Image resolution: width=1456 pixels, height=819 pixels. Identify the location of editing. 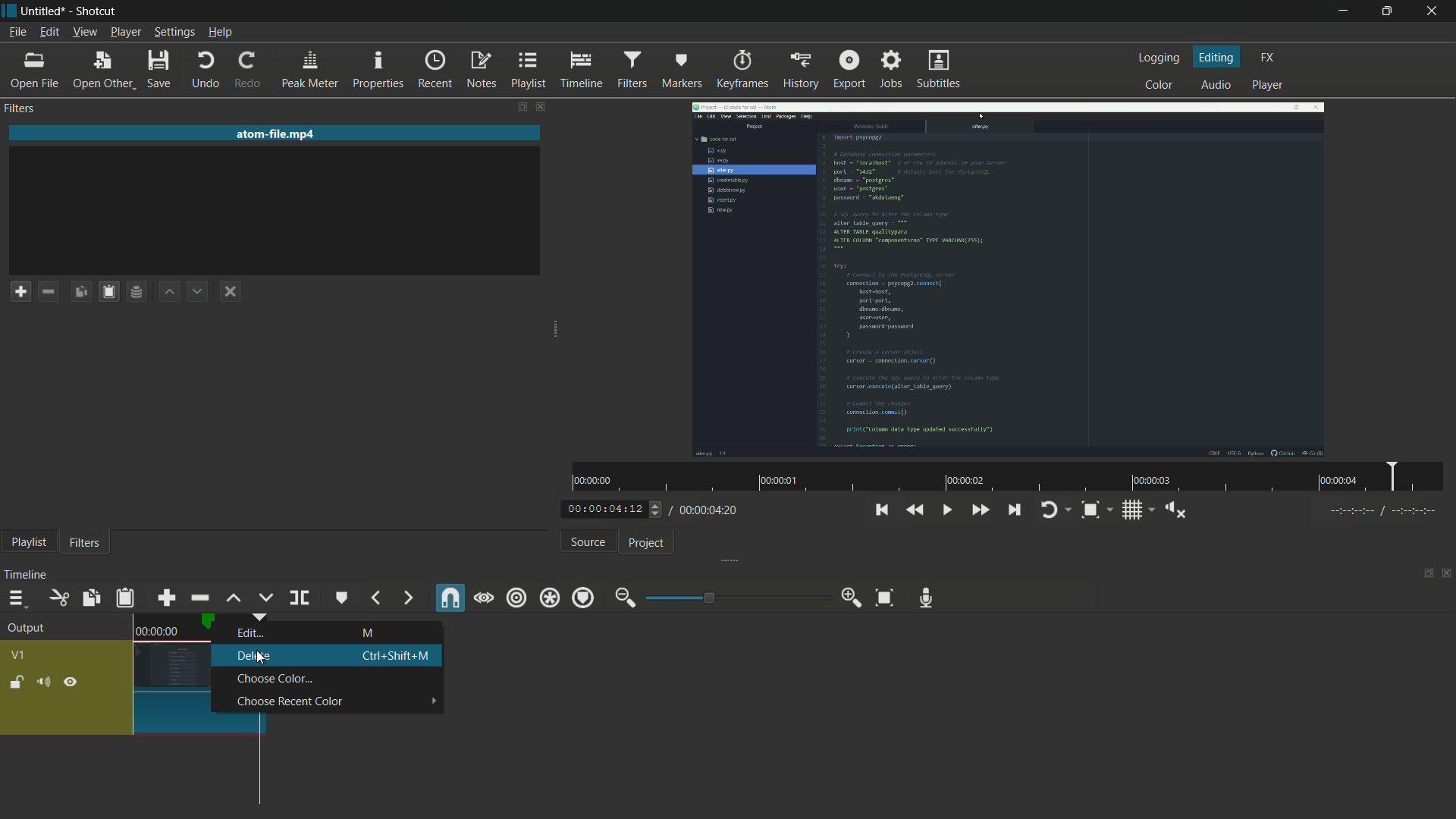
(1216, 58).